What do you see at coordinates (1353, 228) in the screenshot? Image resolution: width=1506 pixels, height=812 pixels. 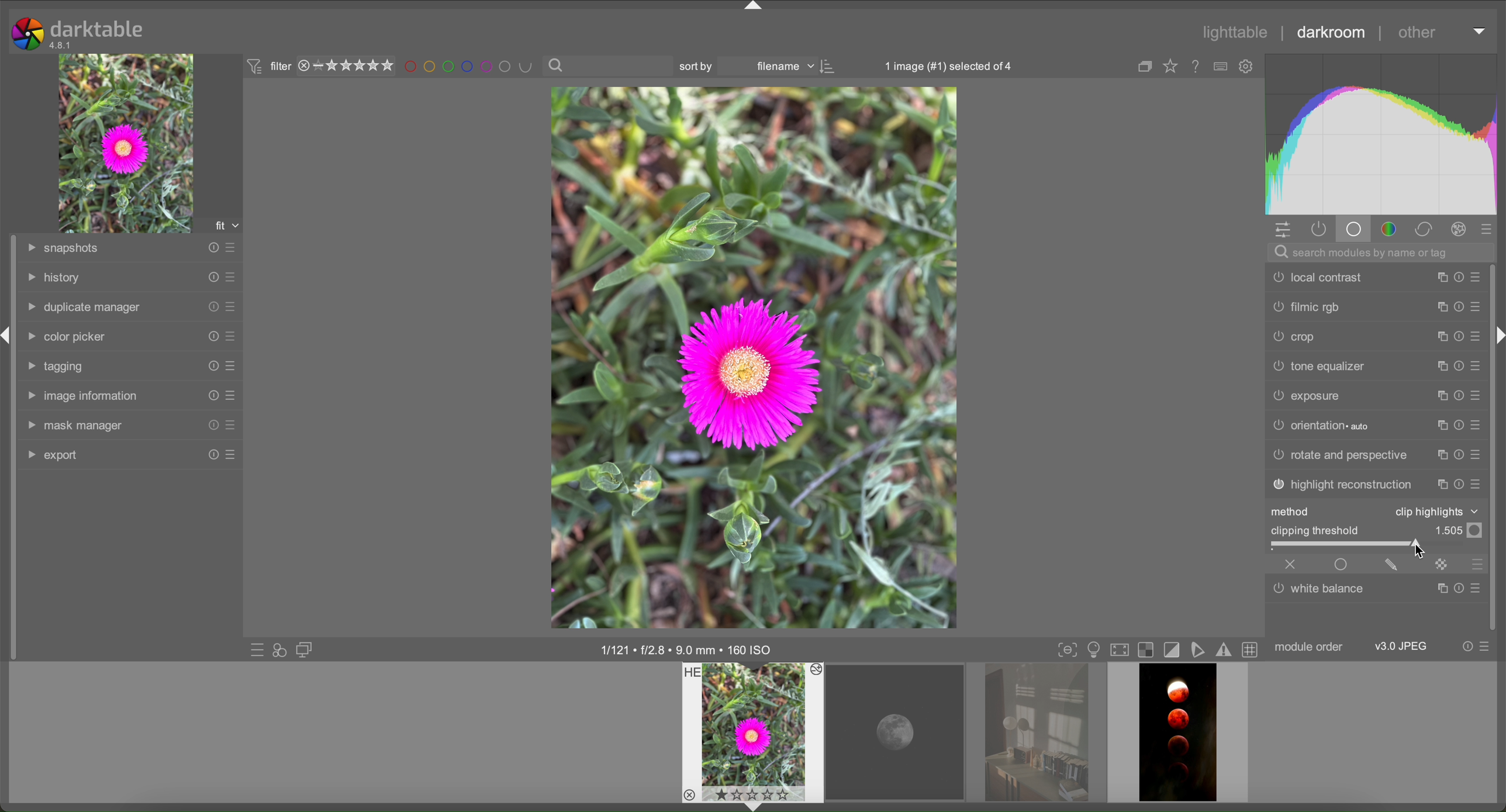 I see `base` at bounding box center [1353, 228].